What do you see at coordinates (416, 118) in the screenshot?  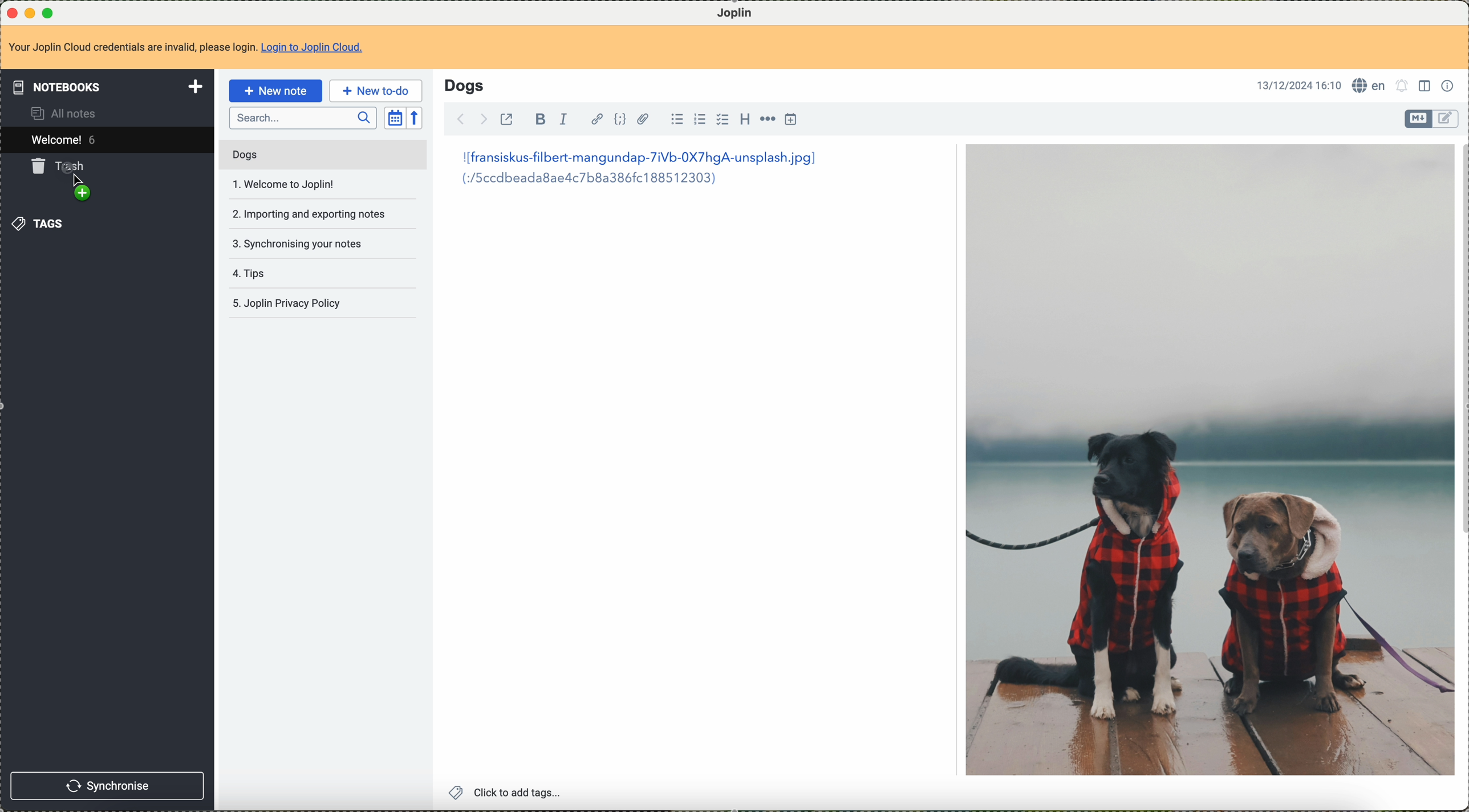 I see `reverse sort order` at bounding box center [416, 118].